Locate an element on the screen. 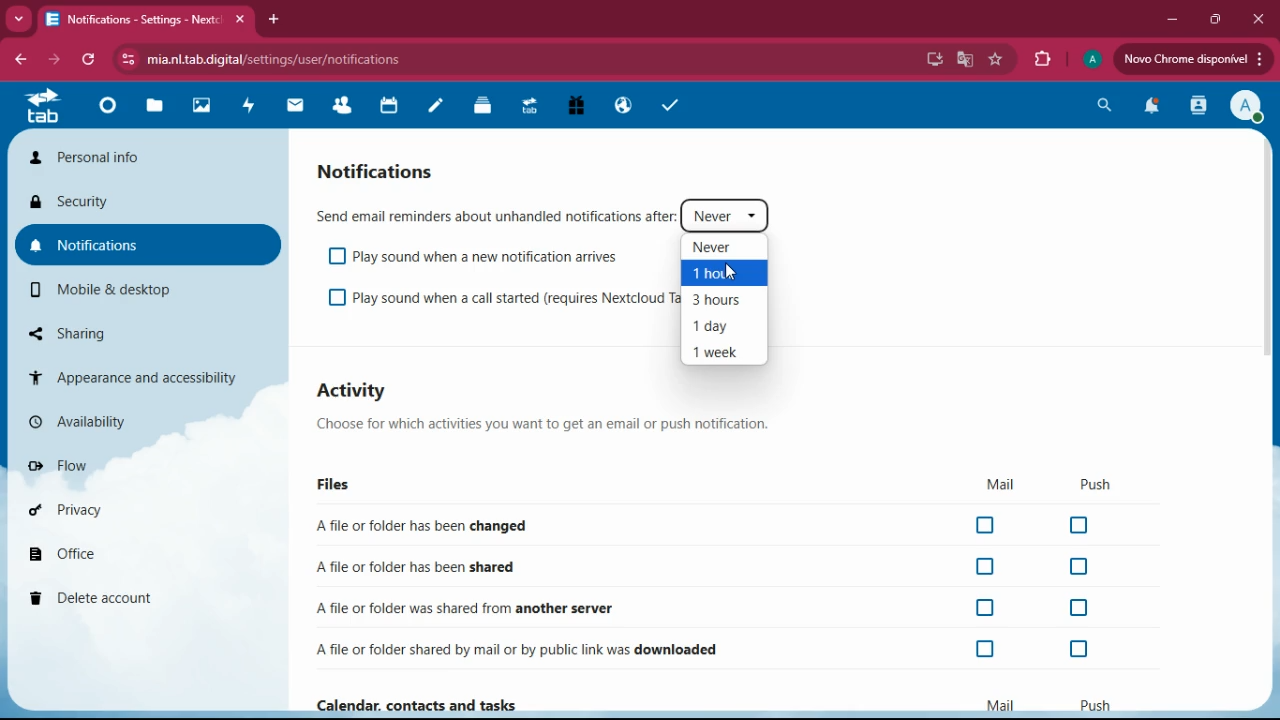 The image size is (1280, 720). play sound is located at coordinates (518, 301).